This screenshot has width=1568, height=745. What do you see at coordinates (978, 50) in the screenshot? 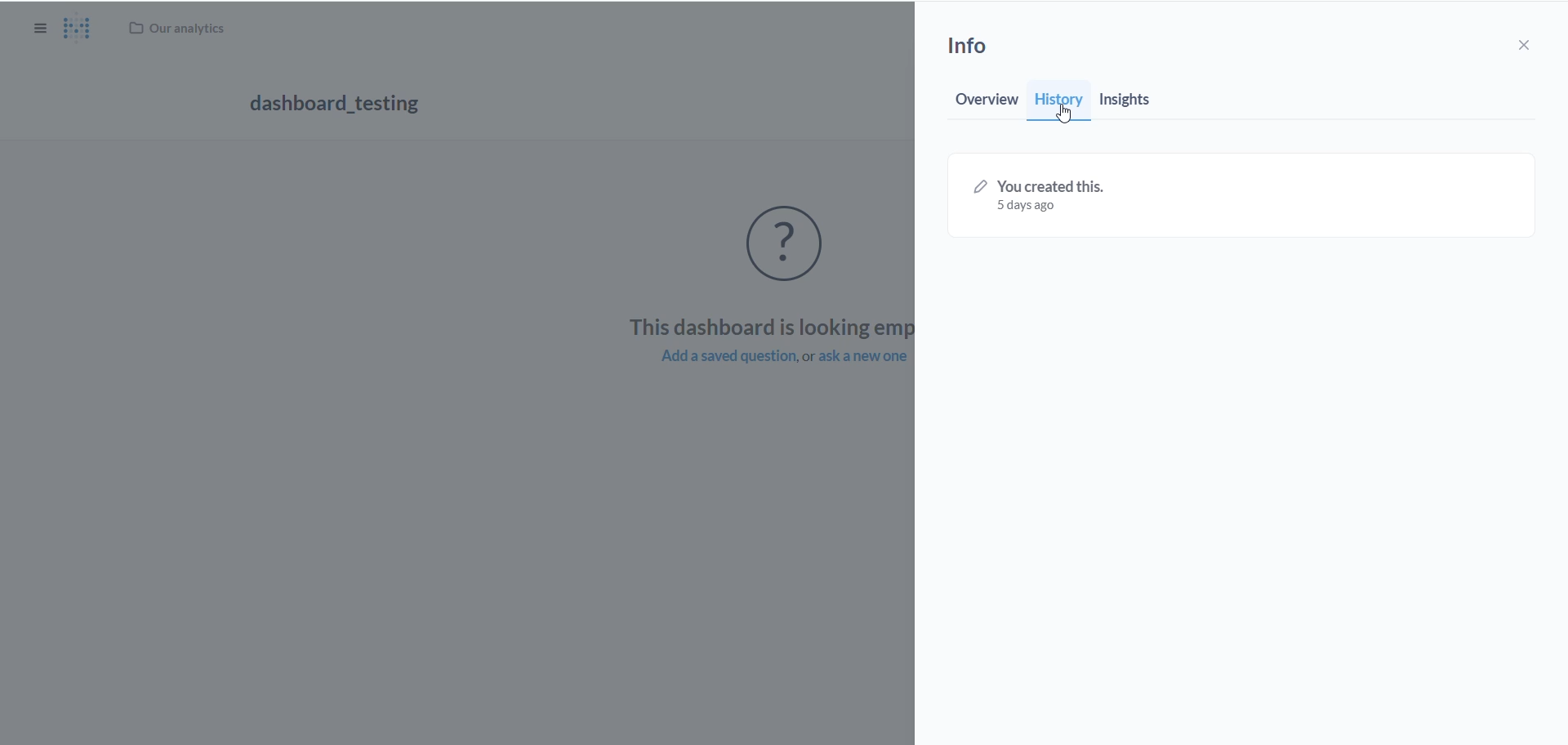
I see `info ` at bounding box center [978, 50].